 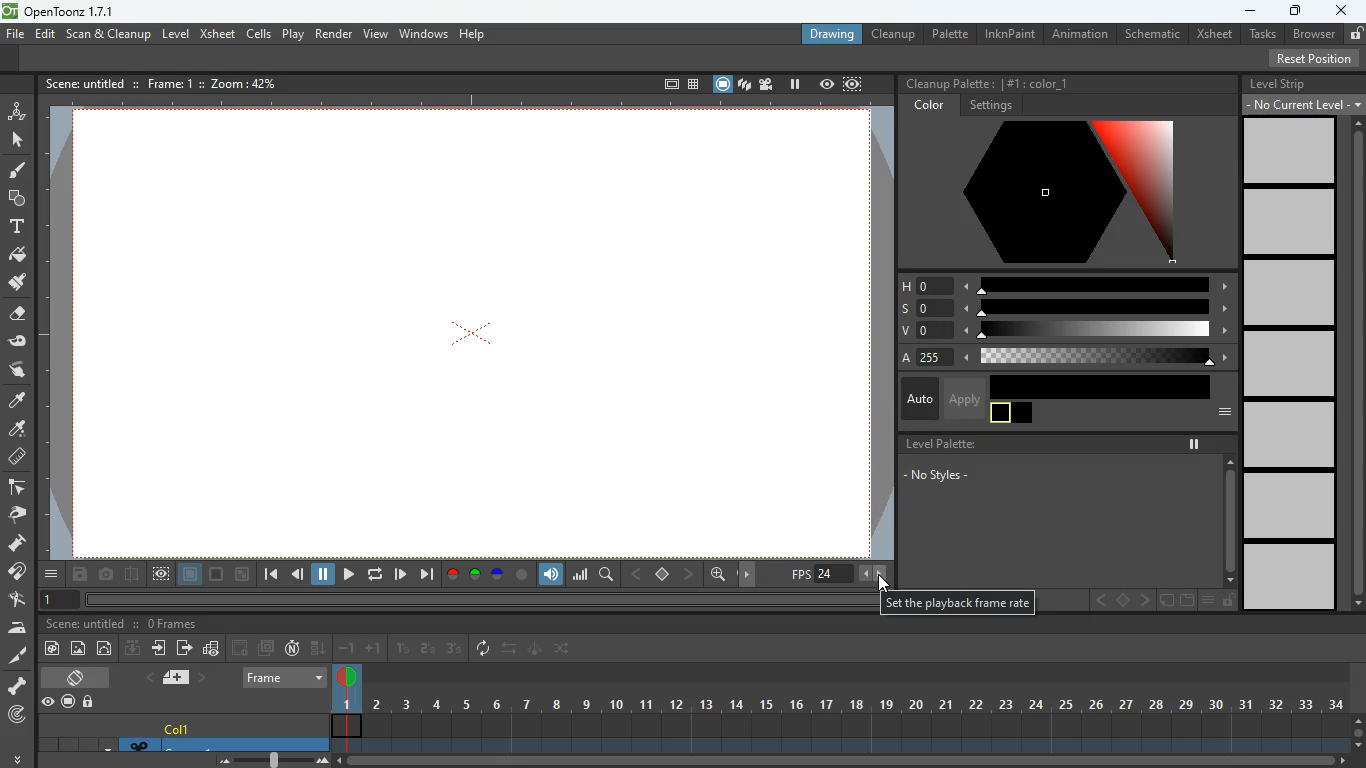 I want to click on n, so click(x=294, y=647).